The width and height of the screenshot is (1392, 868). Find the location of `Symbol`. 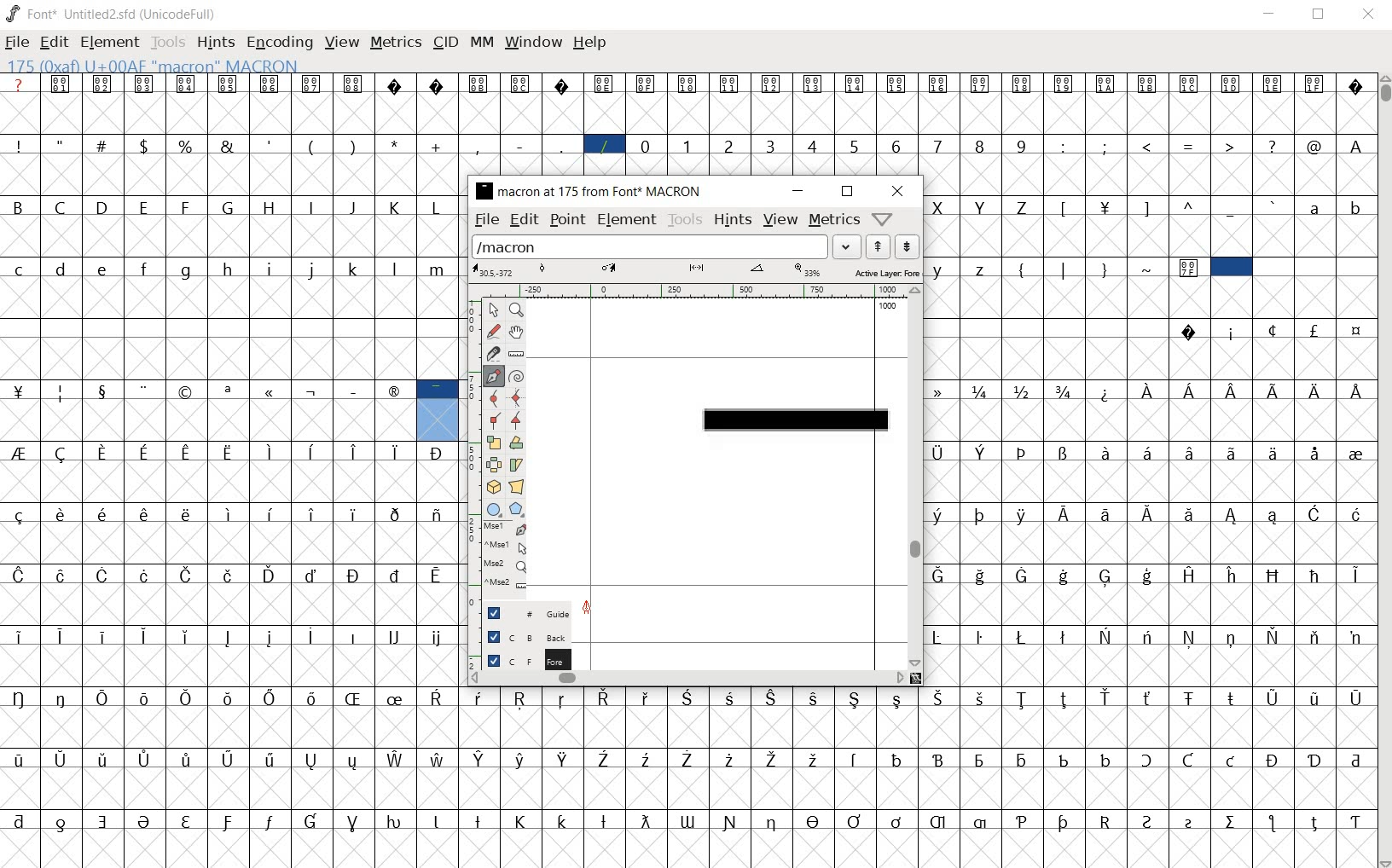

Symbol is located at coordinates (1189, 821).